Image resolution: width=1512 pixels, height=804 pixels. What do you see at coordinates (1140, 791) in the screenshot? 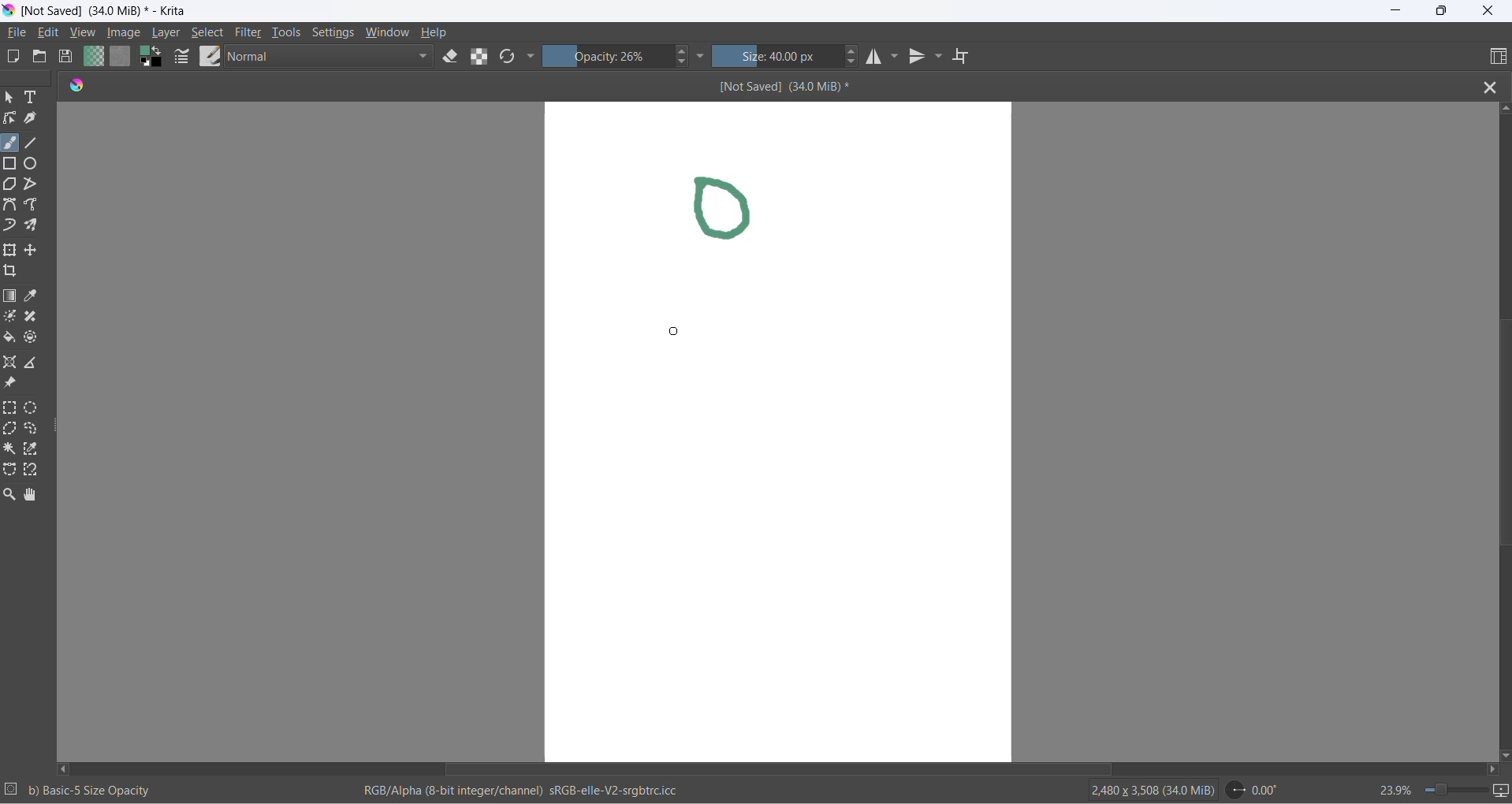
I see `2480 x 3508 (34.0 MiB)` at bounding box center [1140, 791].